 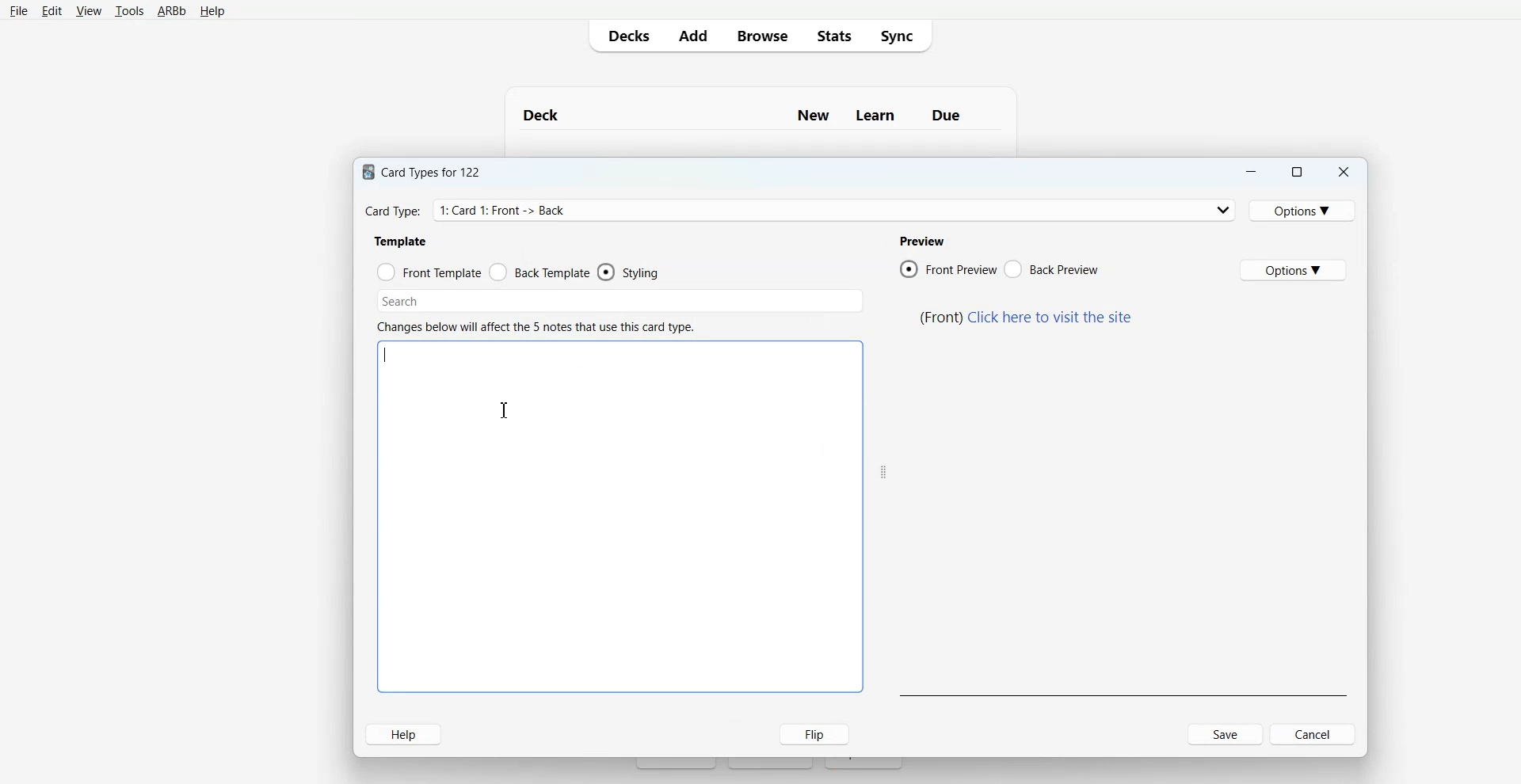 I want to click on Sync, so click(x=901, y=34).